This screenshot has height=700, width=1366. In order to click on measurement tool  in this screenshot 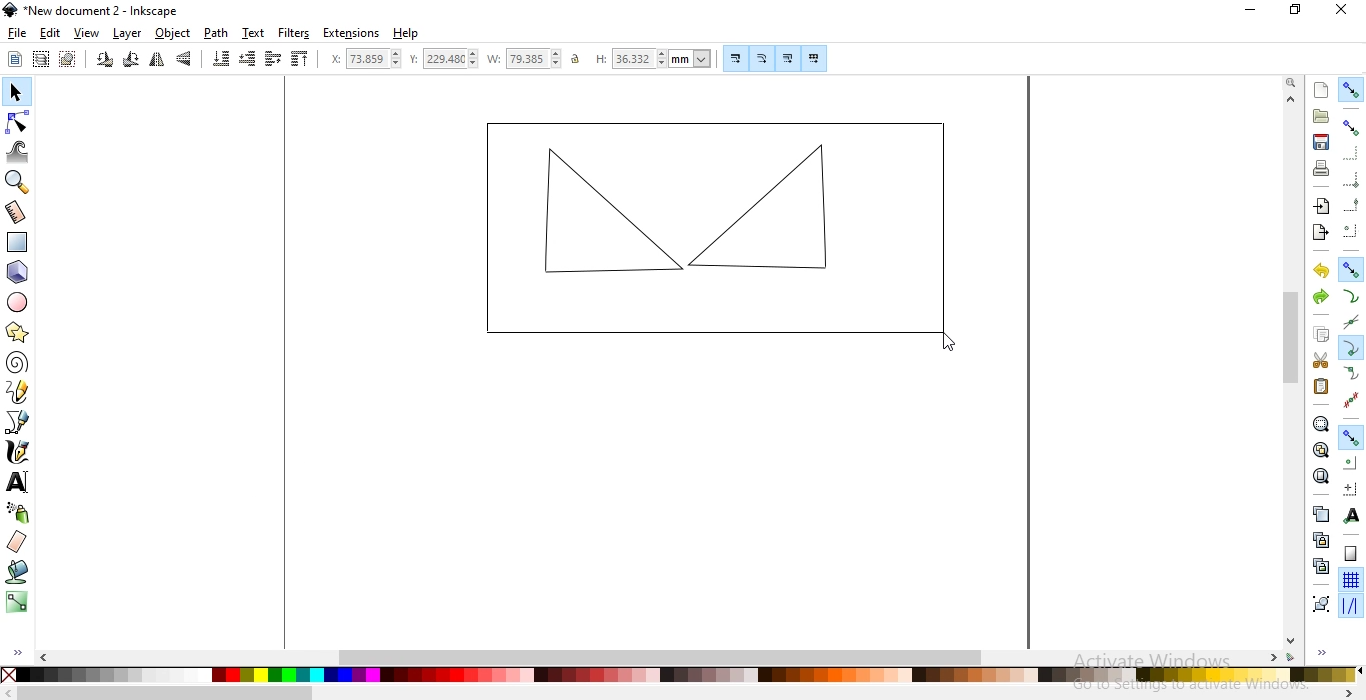, I will do `click(16, 212)`.